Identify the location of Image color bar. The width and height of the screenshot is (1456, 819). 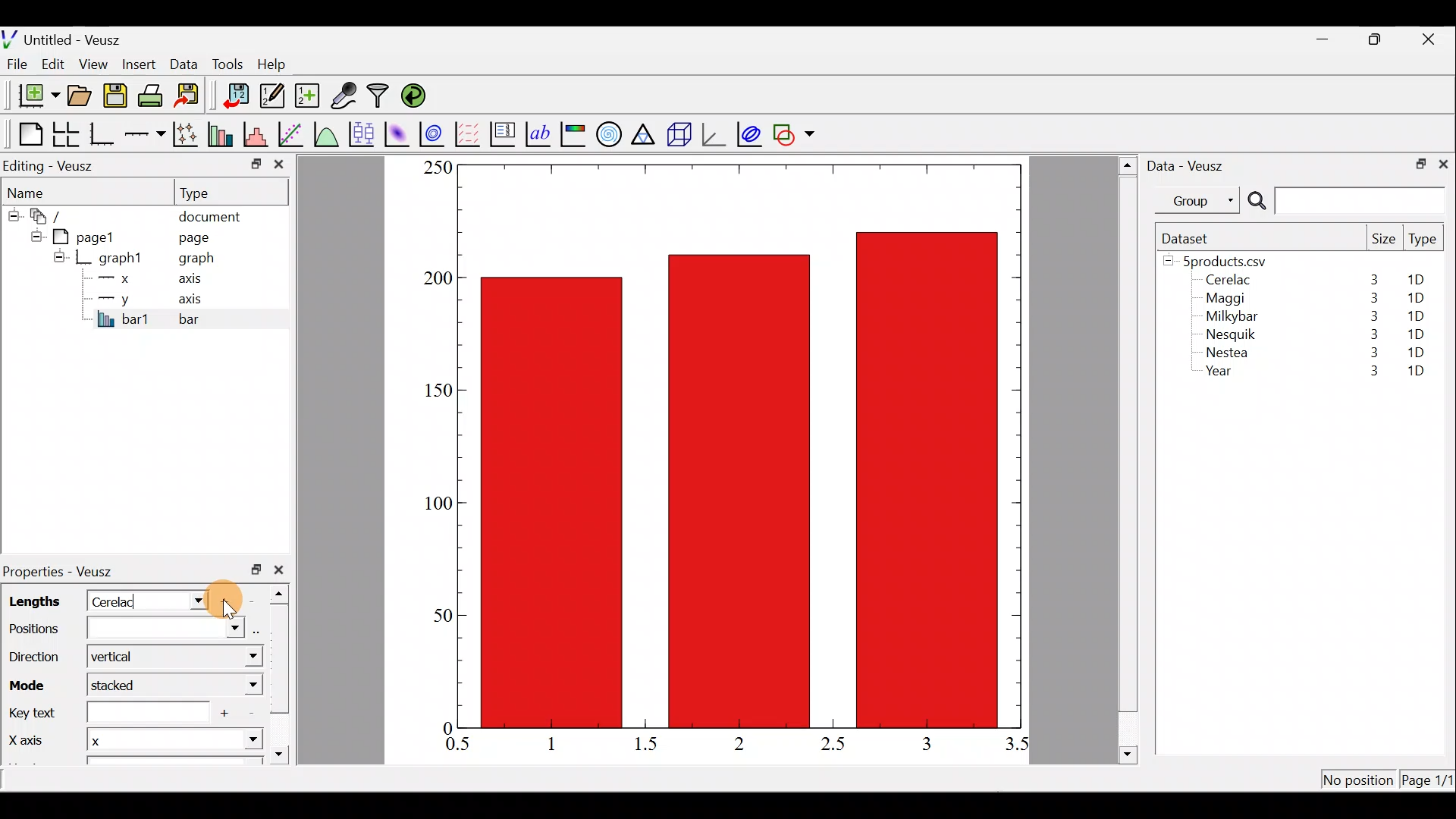
(574, 133).